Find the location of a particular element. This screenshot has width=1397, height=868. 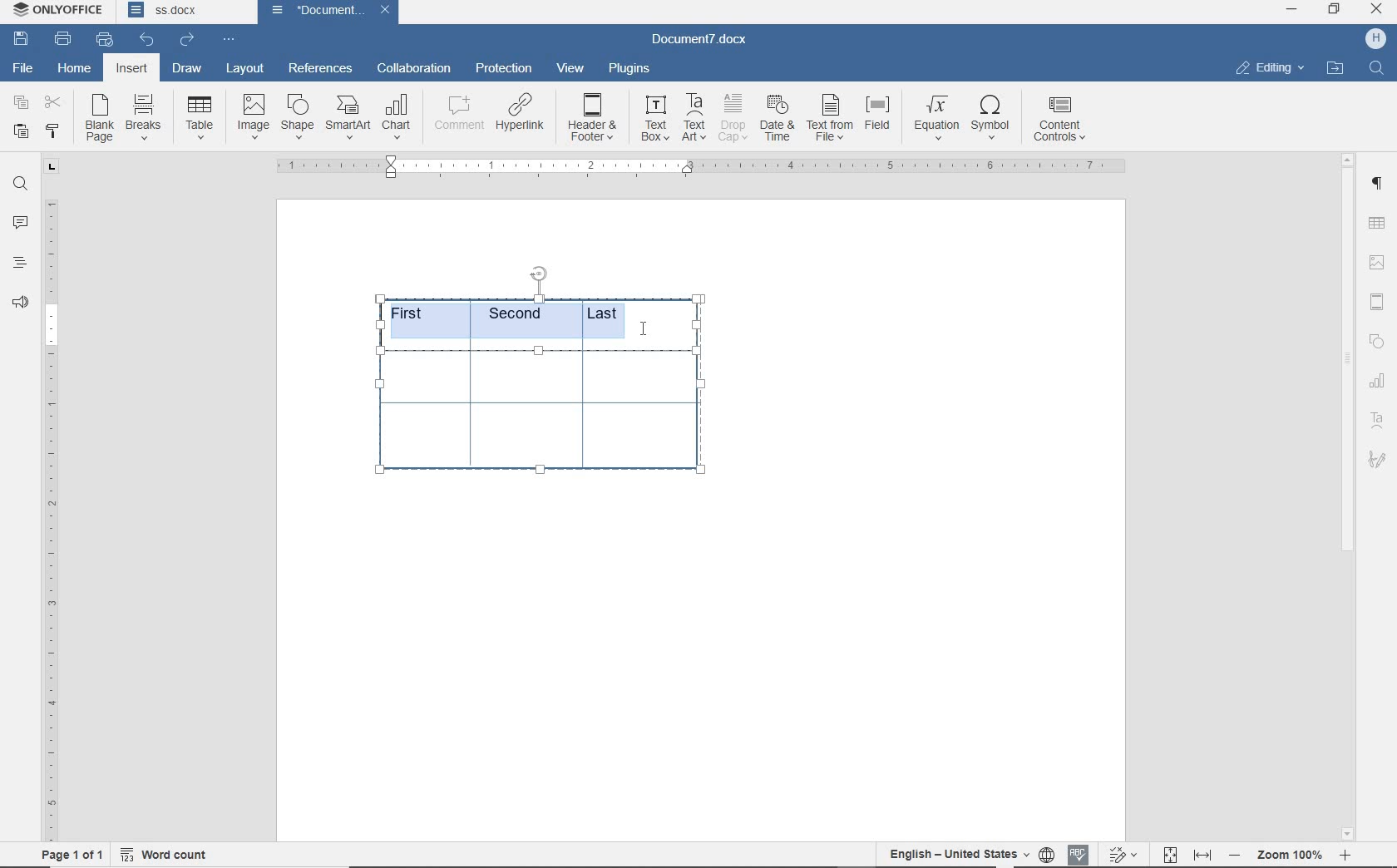

blank page is located at coordinates (100, 121).